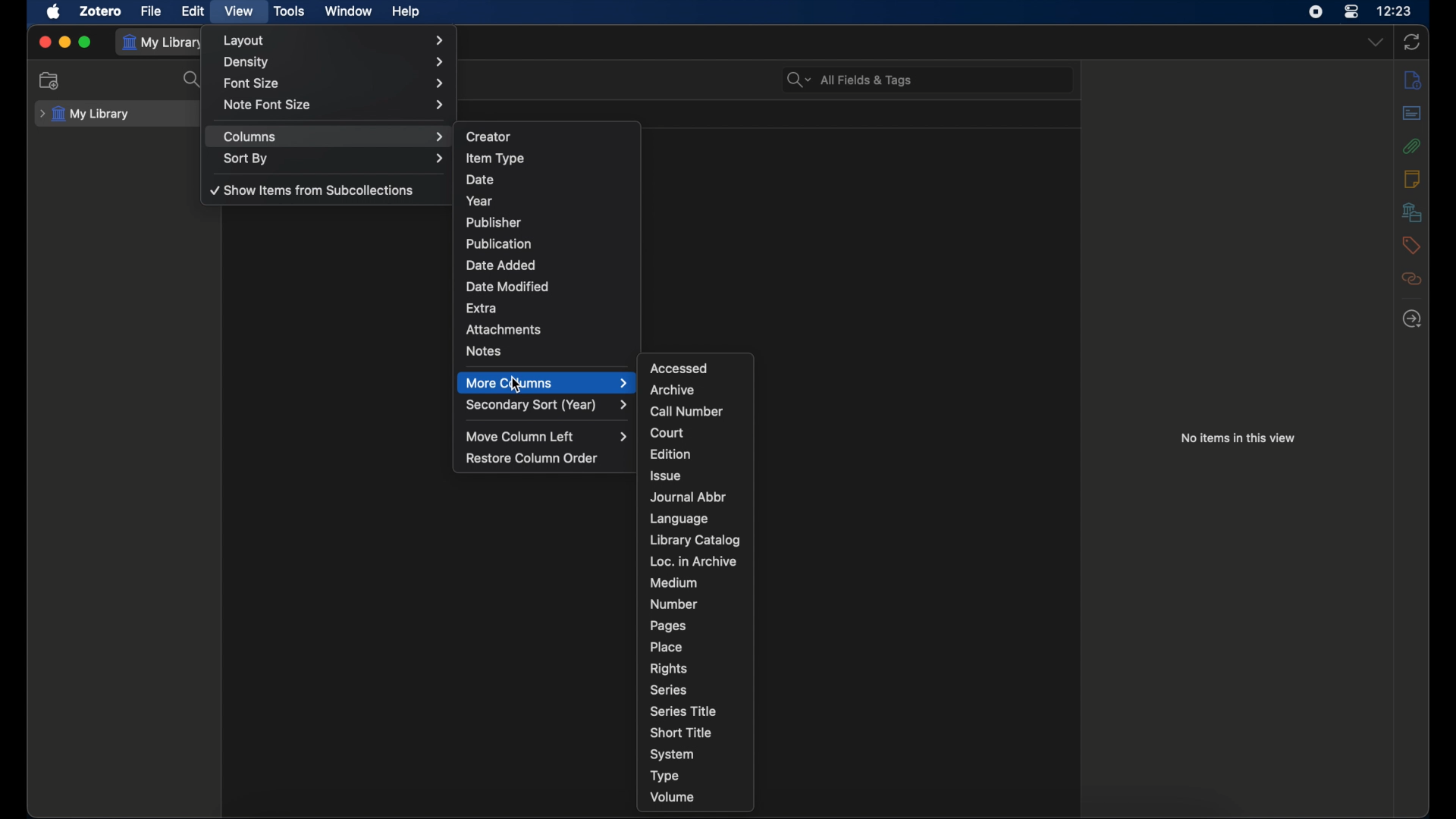 This screenshot has width=1456, height=819. Describe the element at coordinates (193, 11) in the screenshot. I see `edit` at that location.